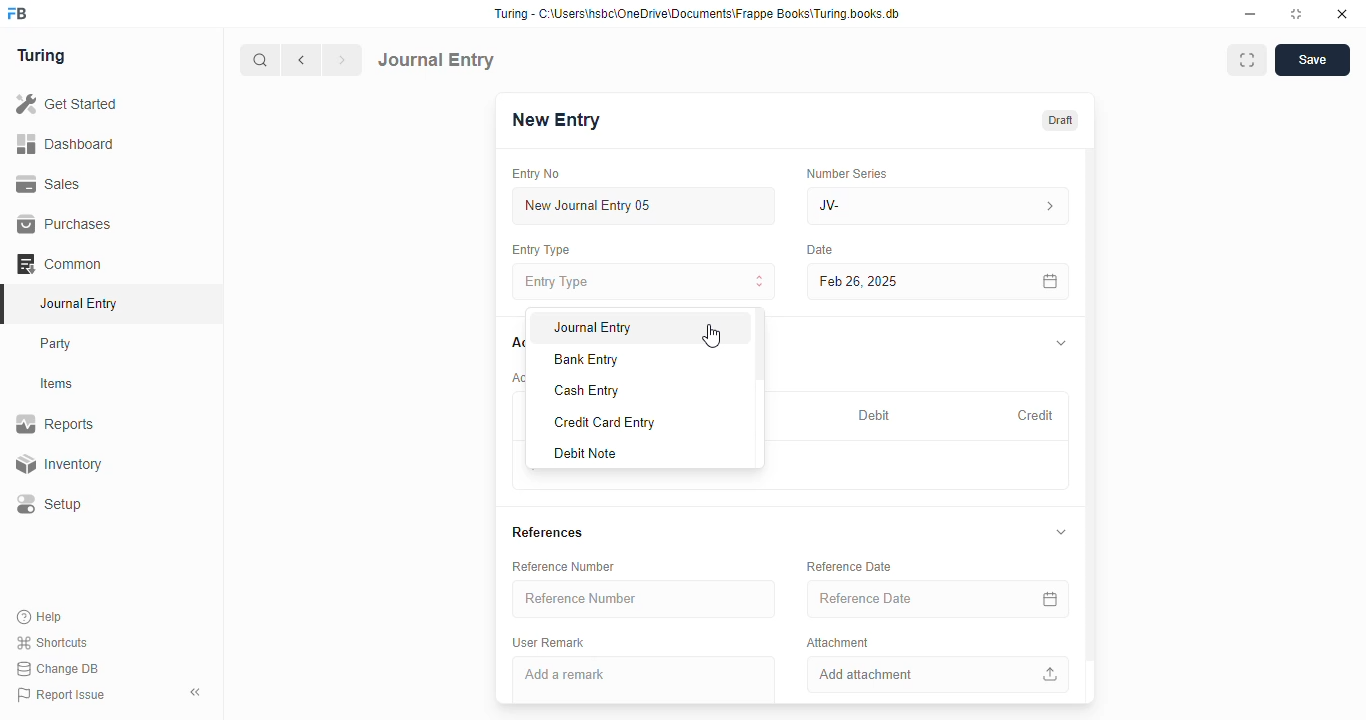  Describe the element at coordinates (644, 599) in the screenshot. I see `reference number` at that location.